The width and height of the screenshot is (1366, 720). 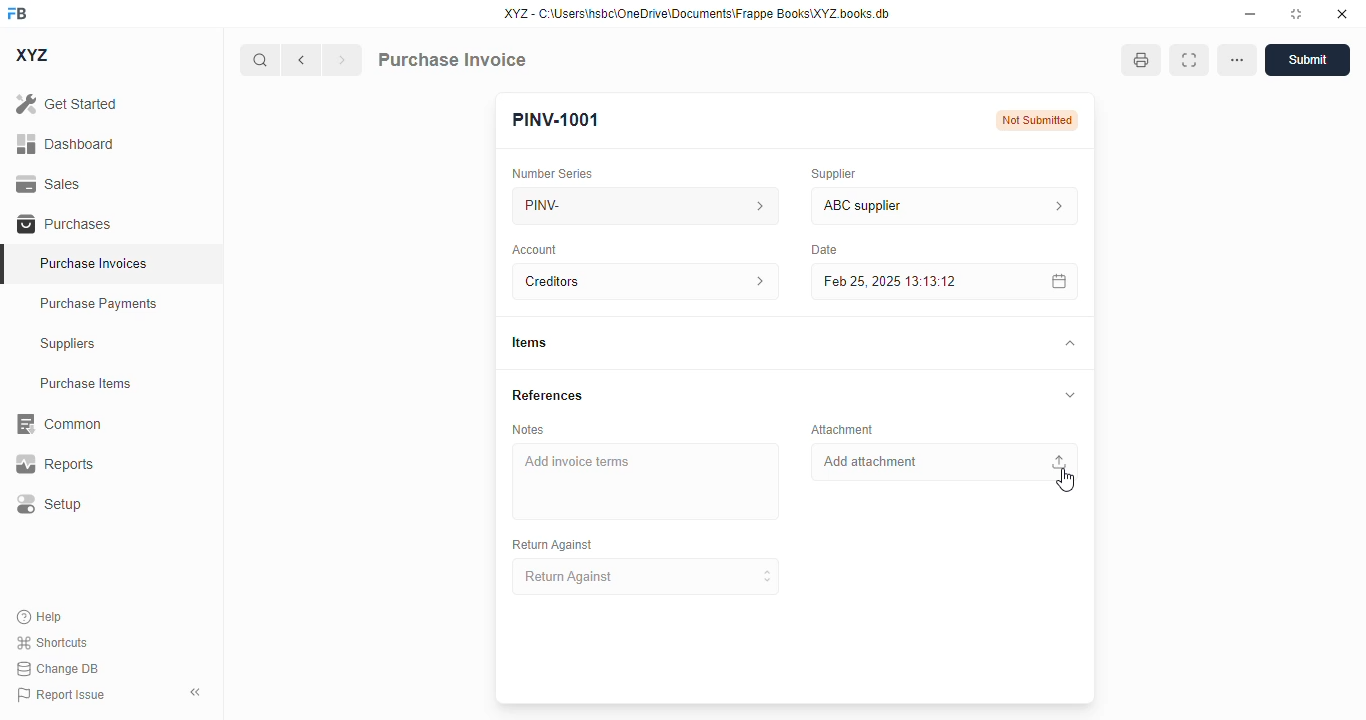 What do you see at coordinates (1038, 120) in the screenshot?
I see `Not submitted` at bounding box center [1038, 120].